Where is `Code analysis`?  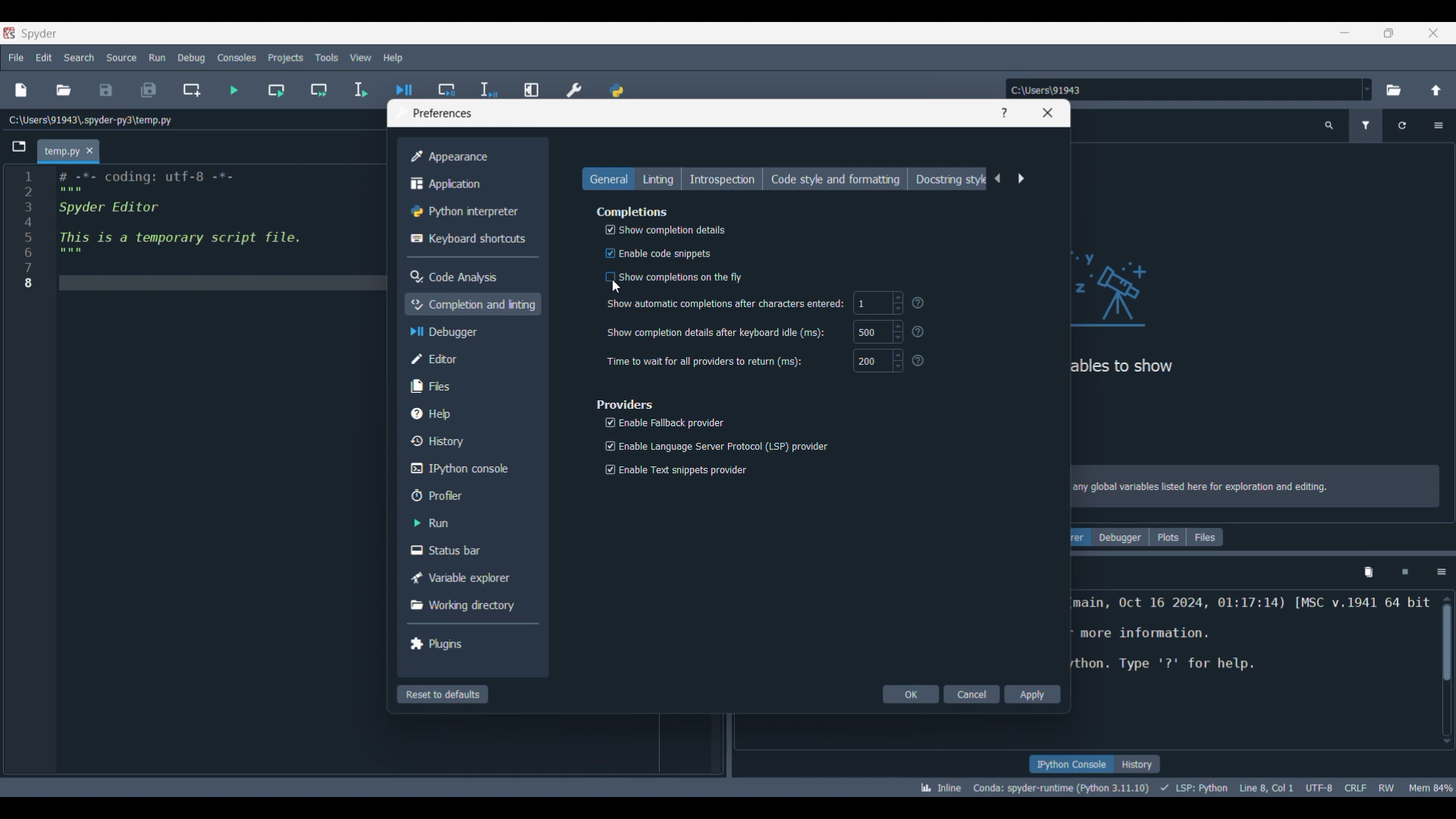
Code analysis is located at coordinates (468, 277).